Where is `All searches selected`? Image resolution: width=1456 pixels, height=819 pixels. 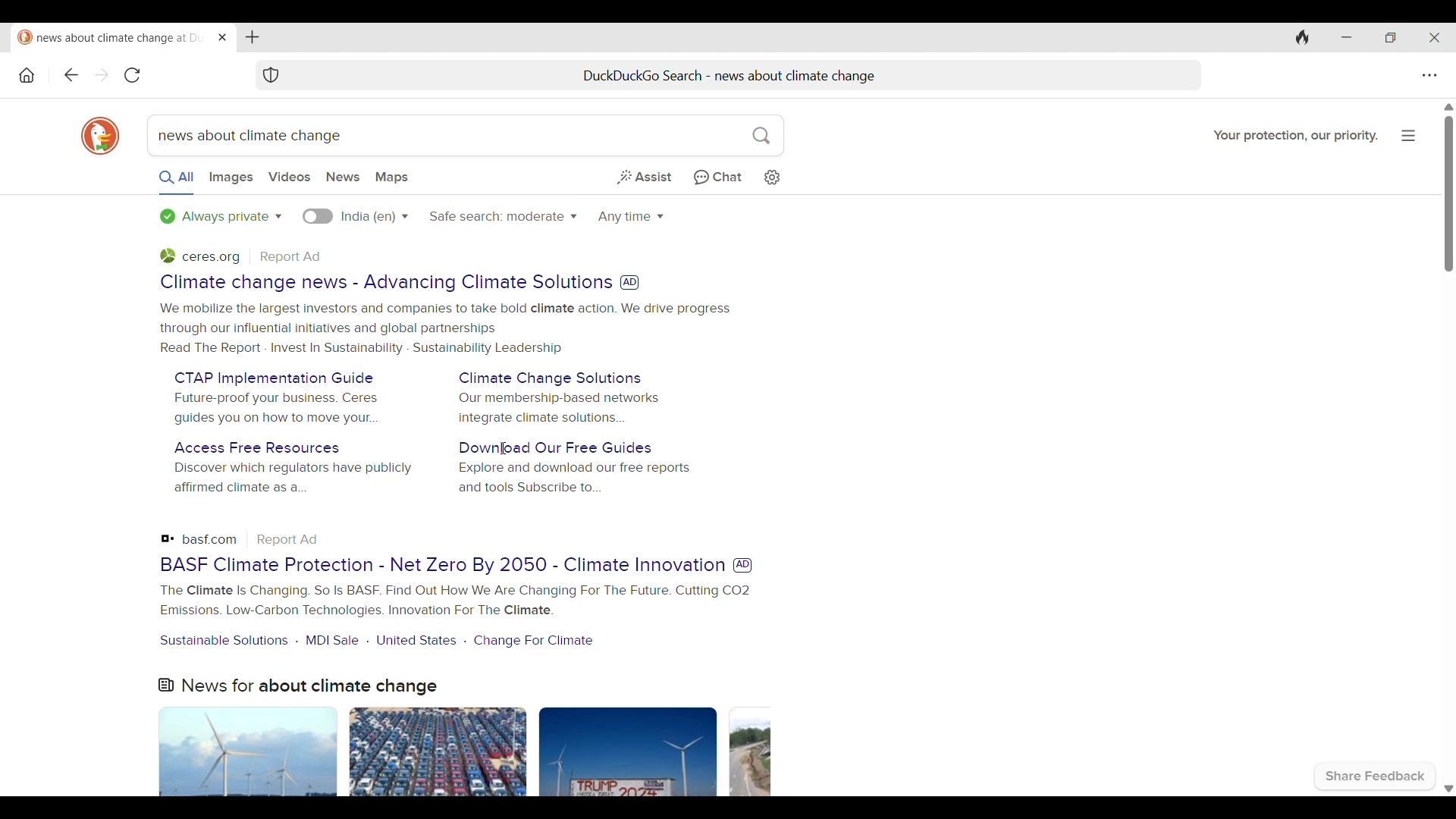 All searches selected is located at coordinates (177, 182).